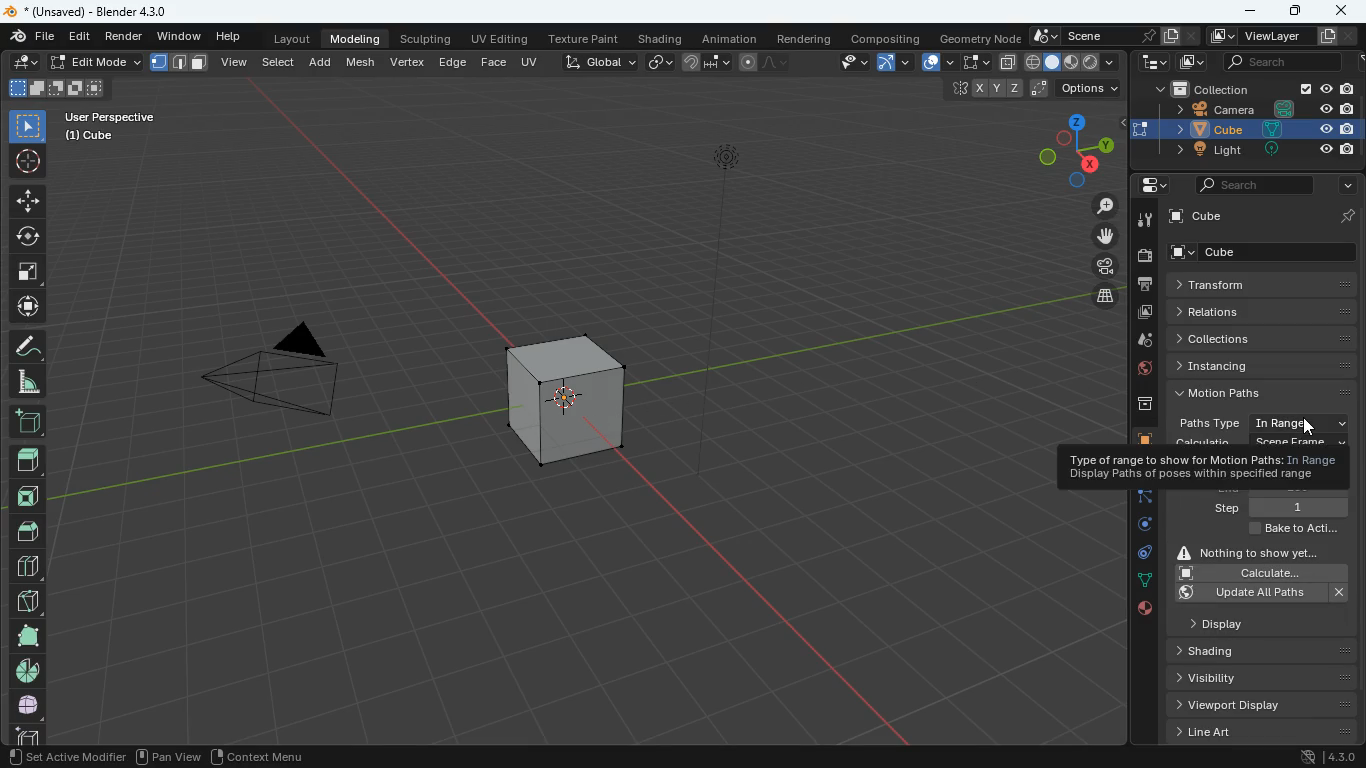  Describe the element at coordinates (127, 38) in the screenshot. I see `render` at that location.